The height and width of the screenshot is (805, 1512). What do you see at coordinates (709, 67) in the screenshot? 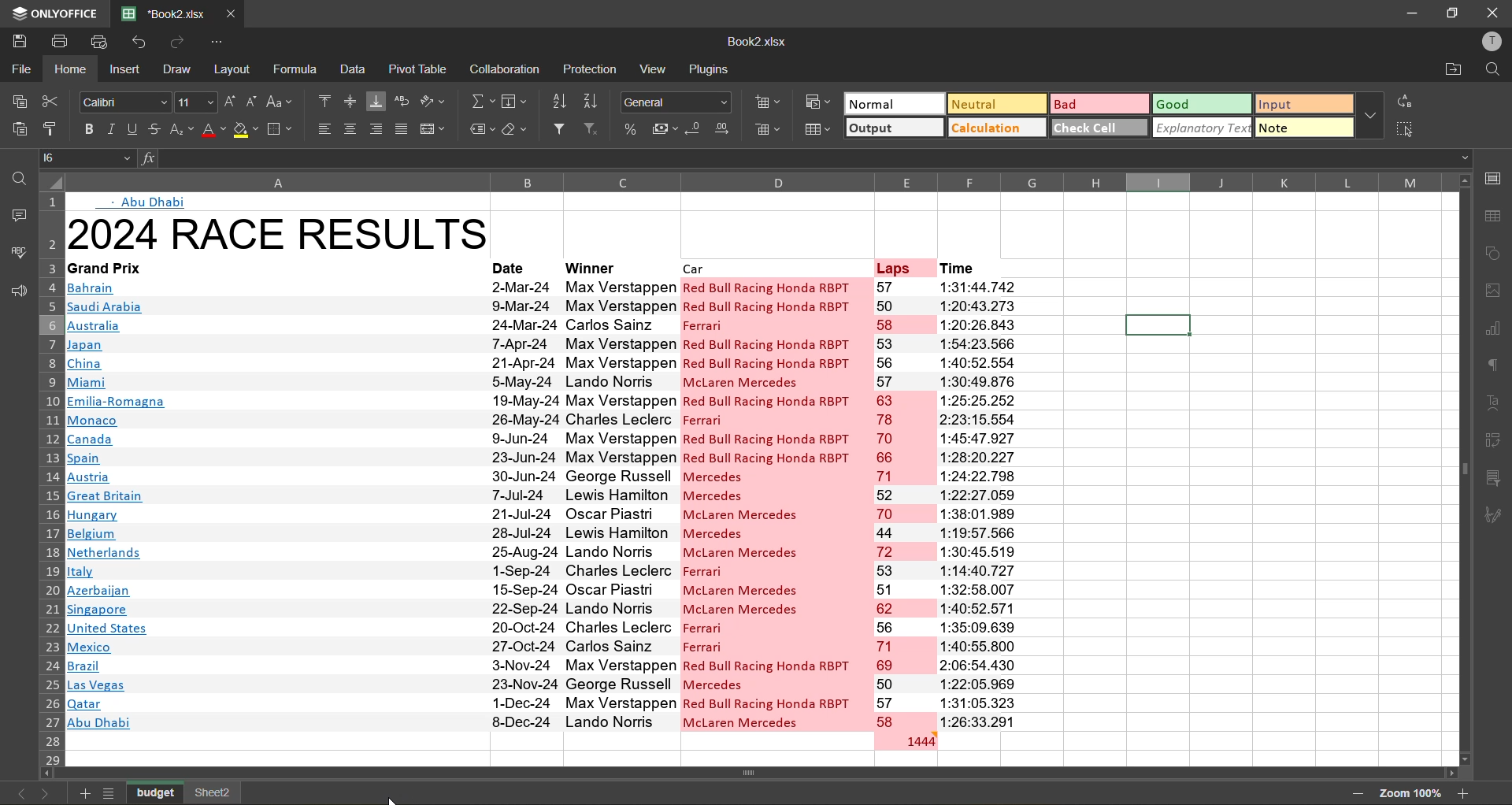
I see `plugins` at bounding box center [709, 67].